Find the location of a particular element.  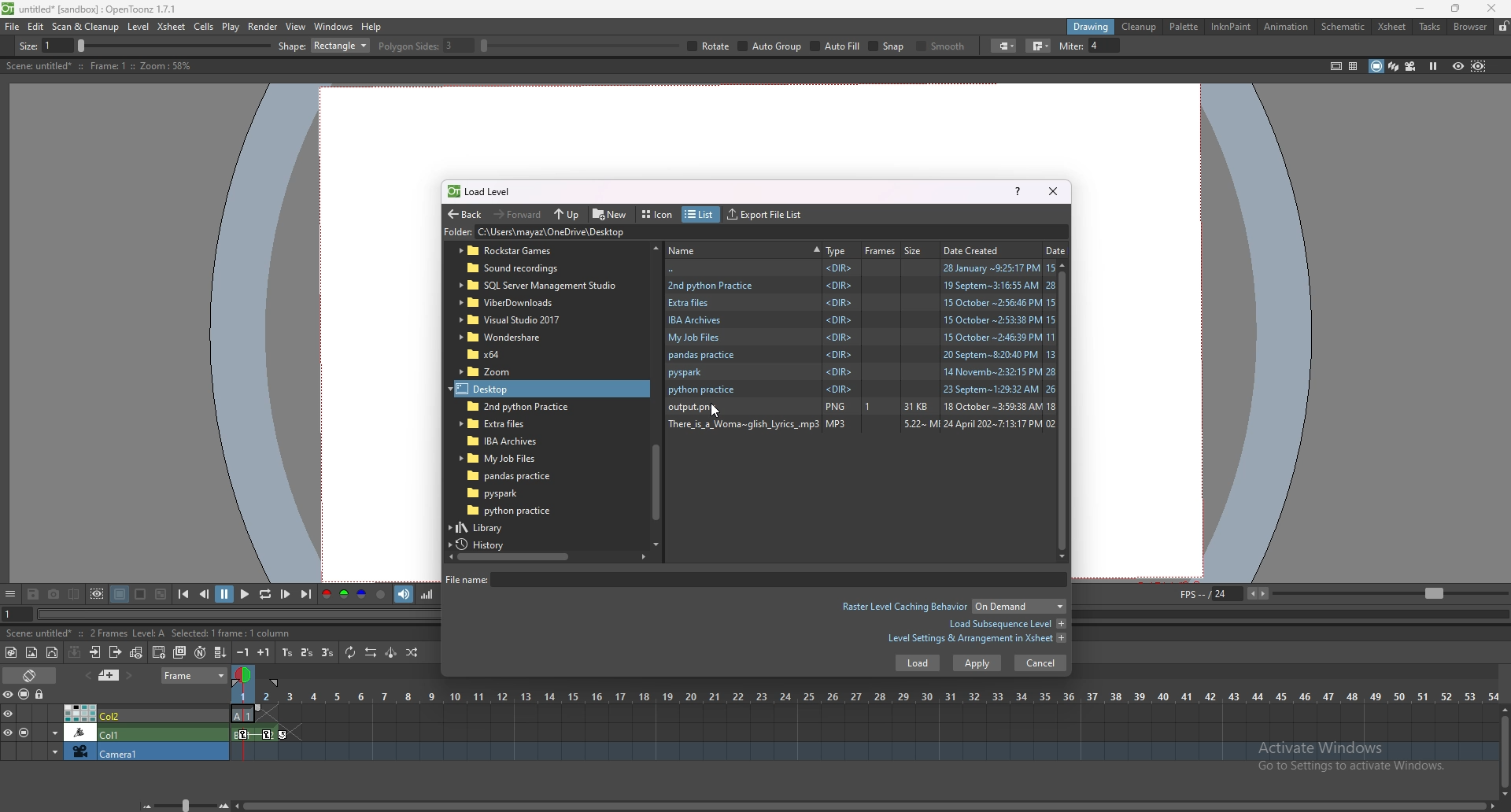

repeat is located at coordinates (349, 652).